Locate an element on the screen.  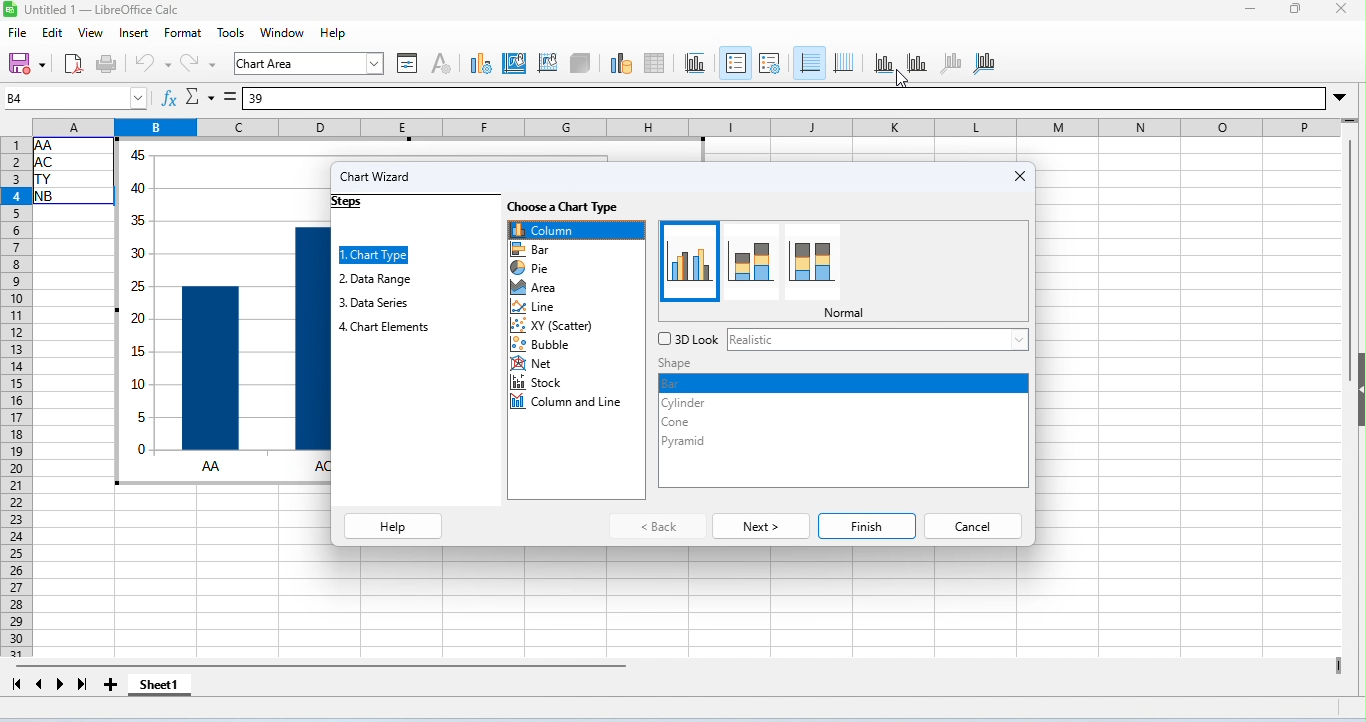
y axis is located at coordinates (919, 62).